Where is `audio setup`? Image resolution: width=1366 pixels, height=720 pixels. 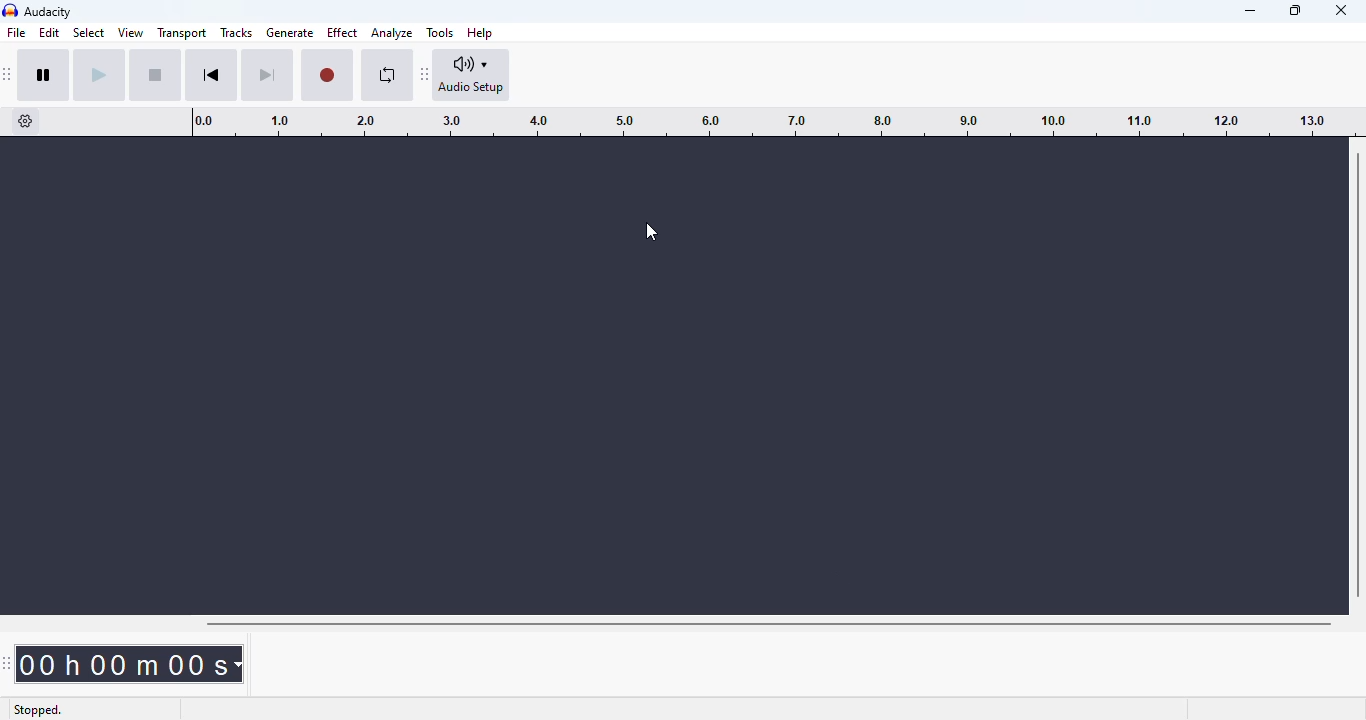
audio setup is located at coordinates (472, 75).